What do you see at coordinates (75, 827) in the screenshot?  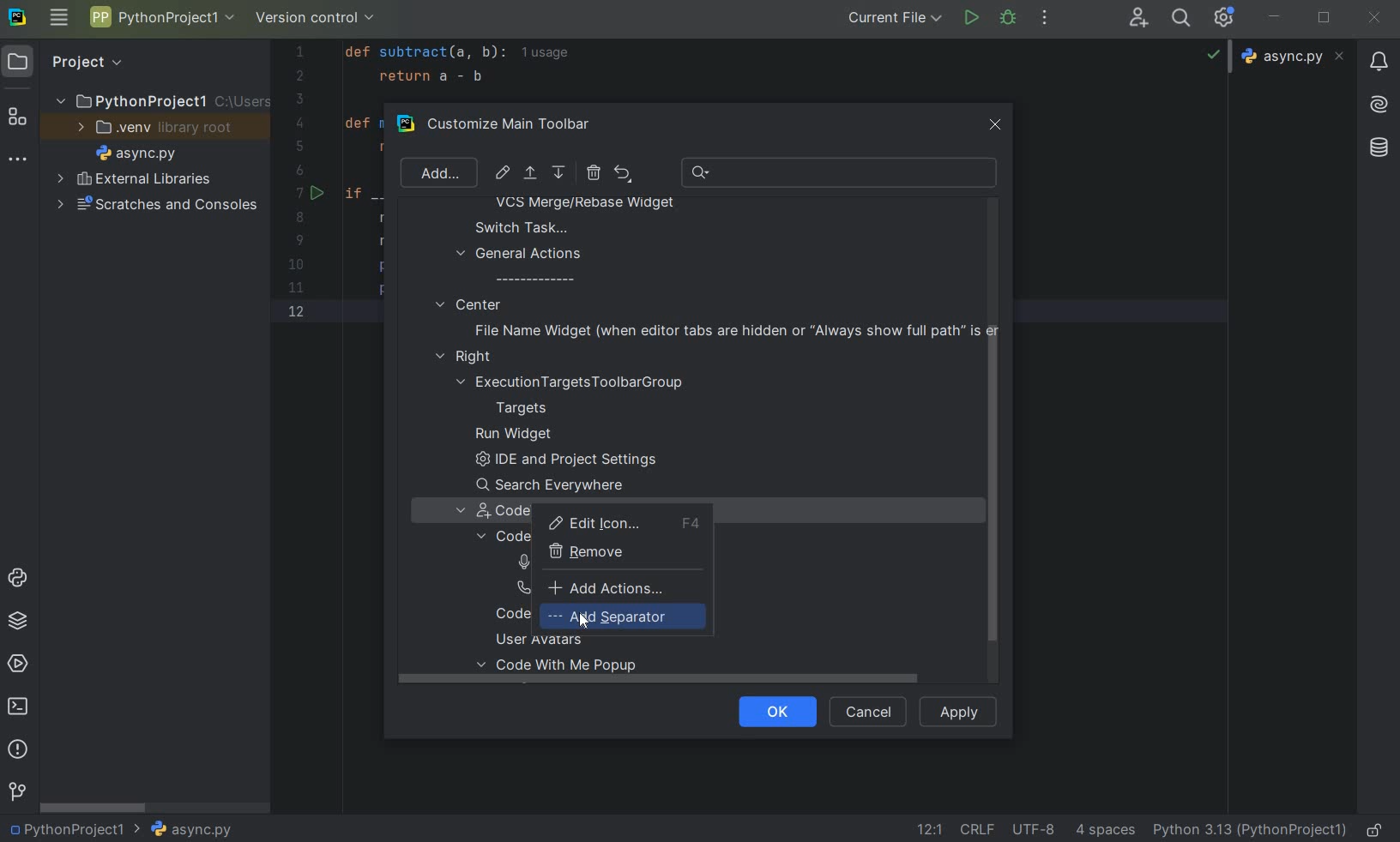 I see `PROJECT NAME` at bounding box center [75, 827].